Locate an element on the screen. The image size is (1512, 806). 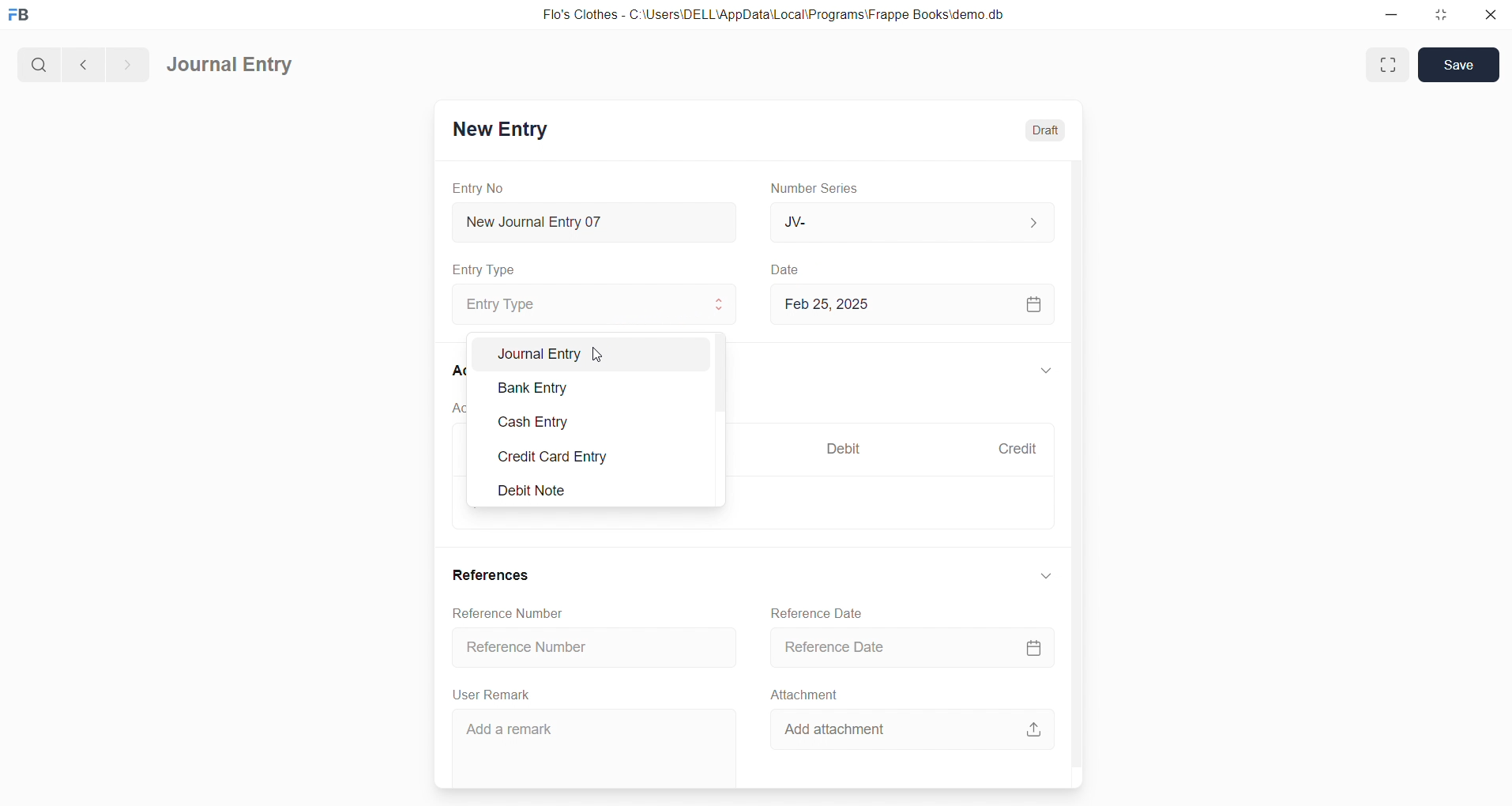
Feb 25, 2025 is located at coordinates (914, 304).